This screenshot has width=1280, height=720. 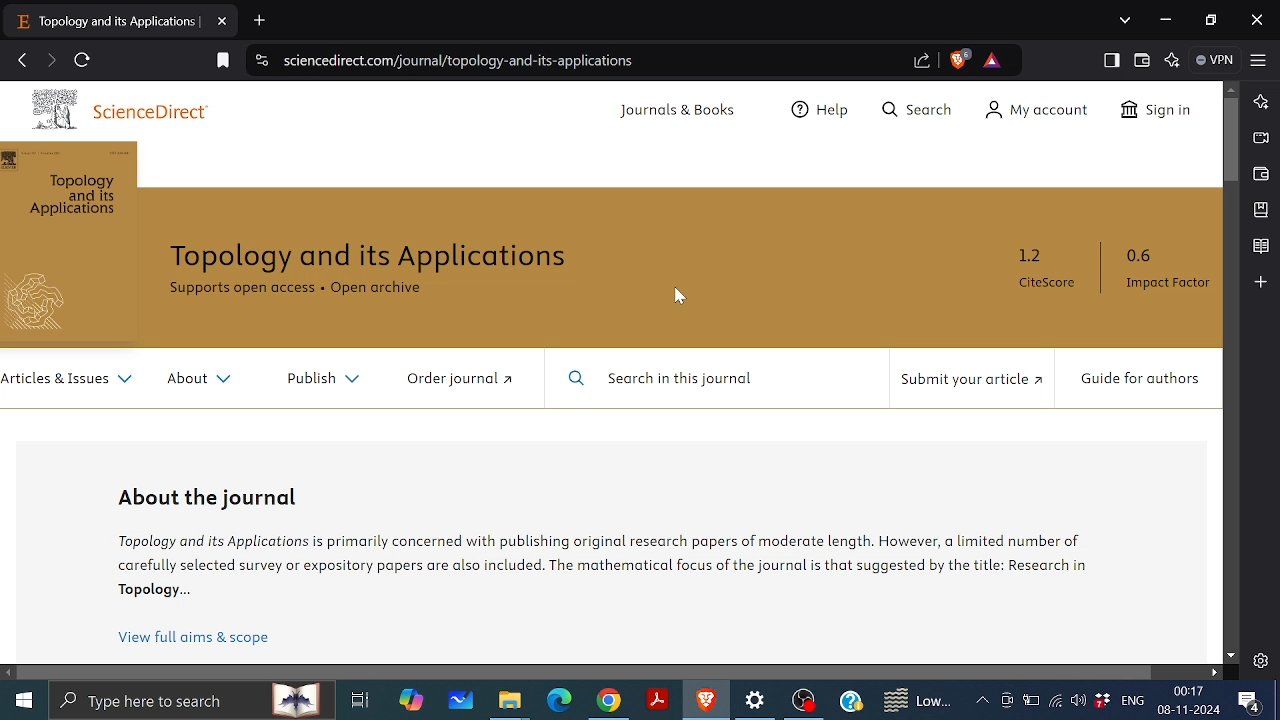 I want to click on share this page, so click(x=924, y=61).